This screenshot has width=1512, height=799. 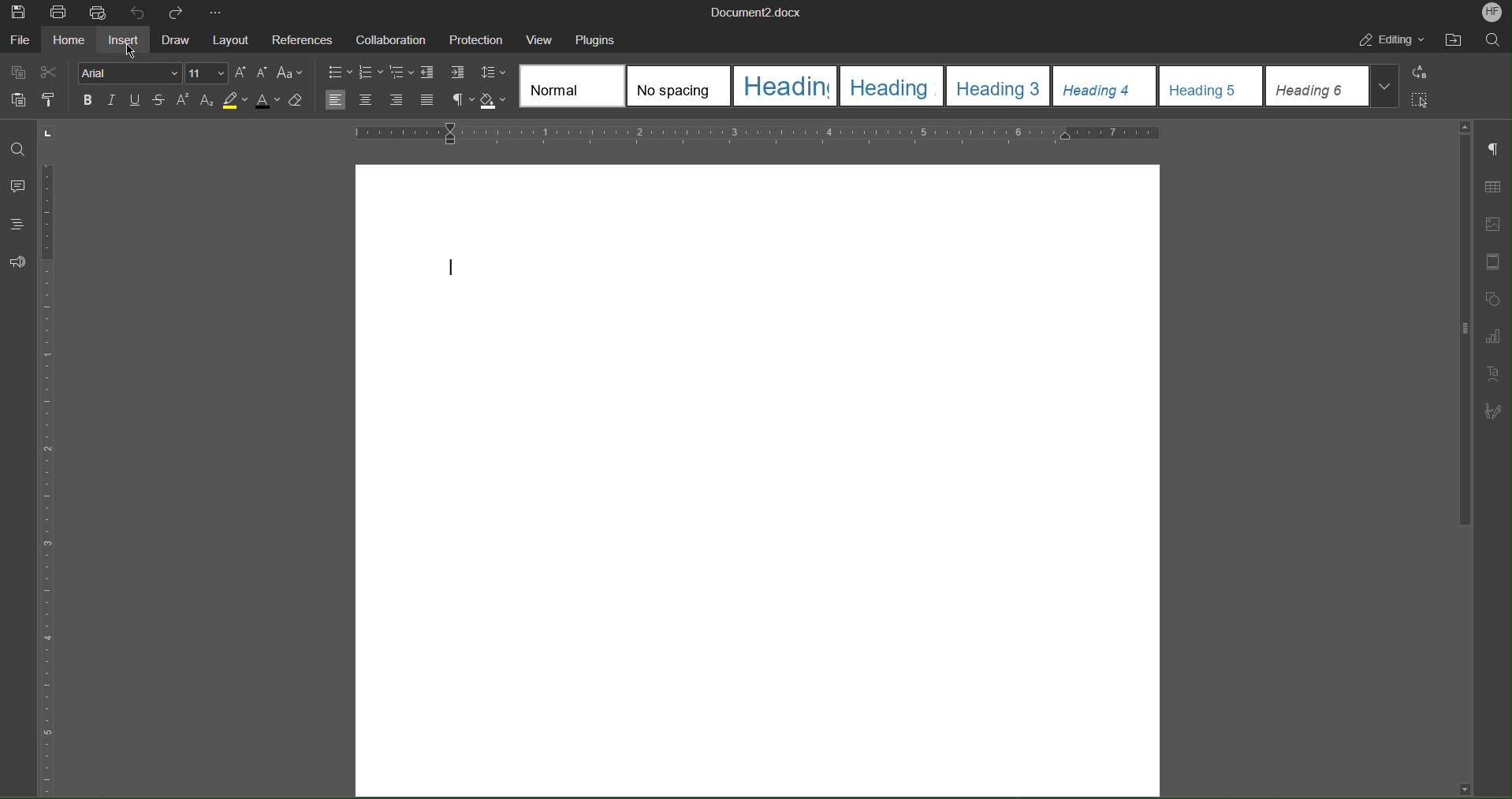 I want to click on Home, so click(x=68, y=39).